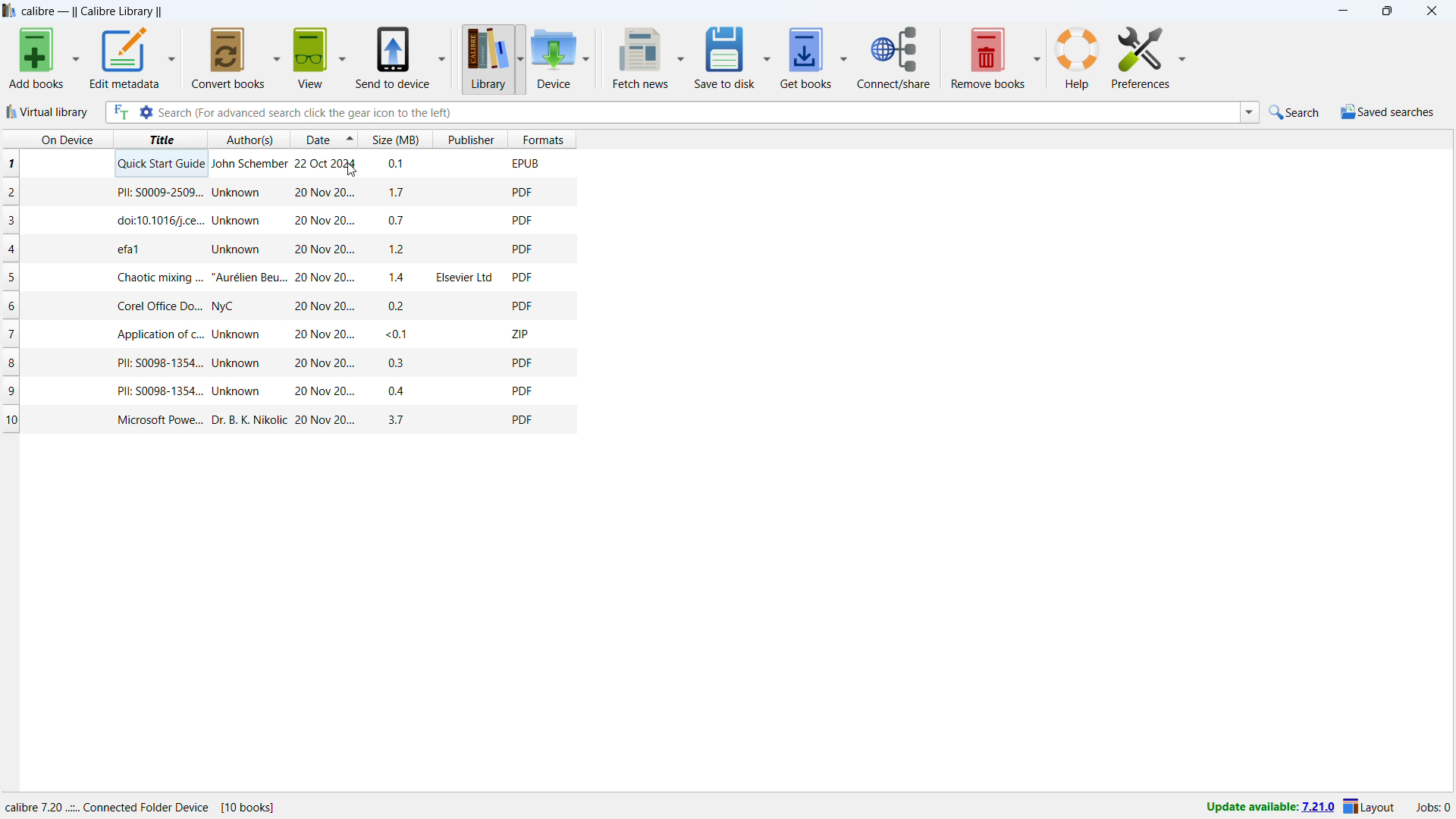 The height and width of the screenshot is (819, 1456). Describe the element at coordinates (1181, 57) in the screenshot. I see `preferences options` at that location.